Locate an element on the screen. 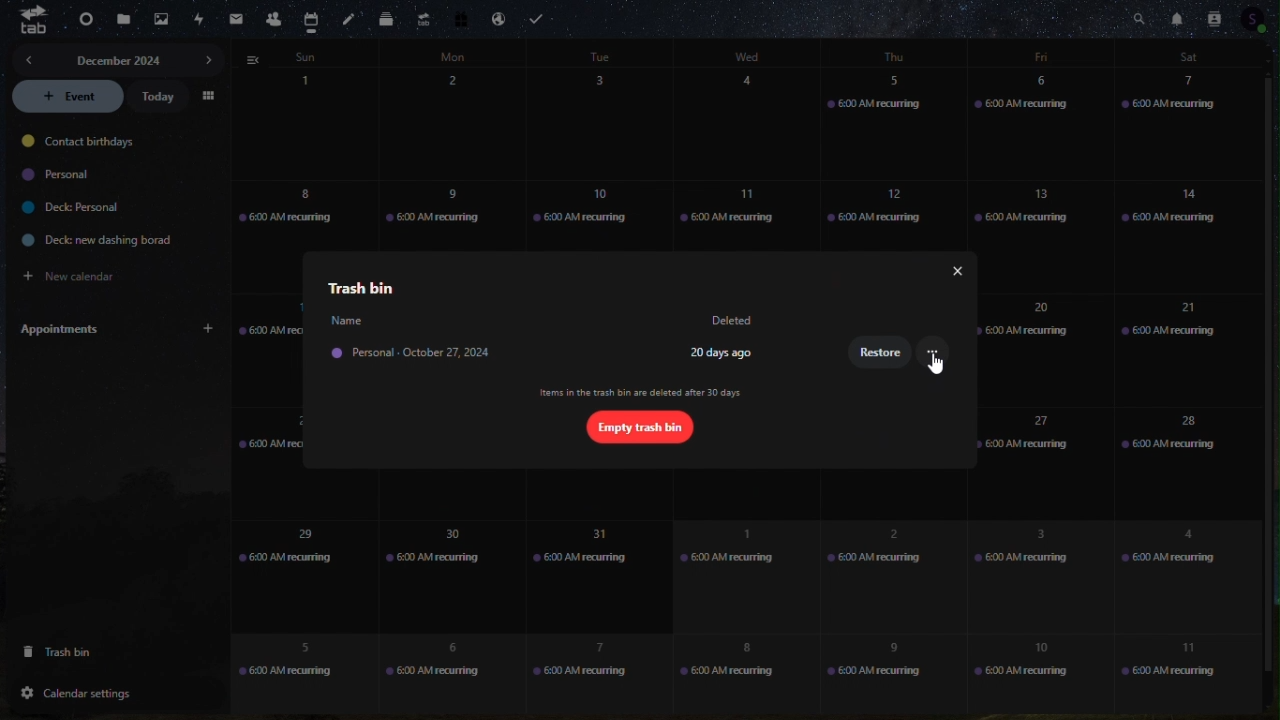  Cursor is located at coordinates (938, 366).